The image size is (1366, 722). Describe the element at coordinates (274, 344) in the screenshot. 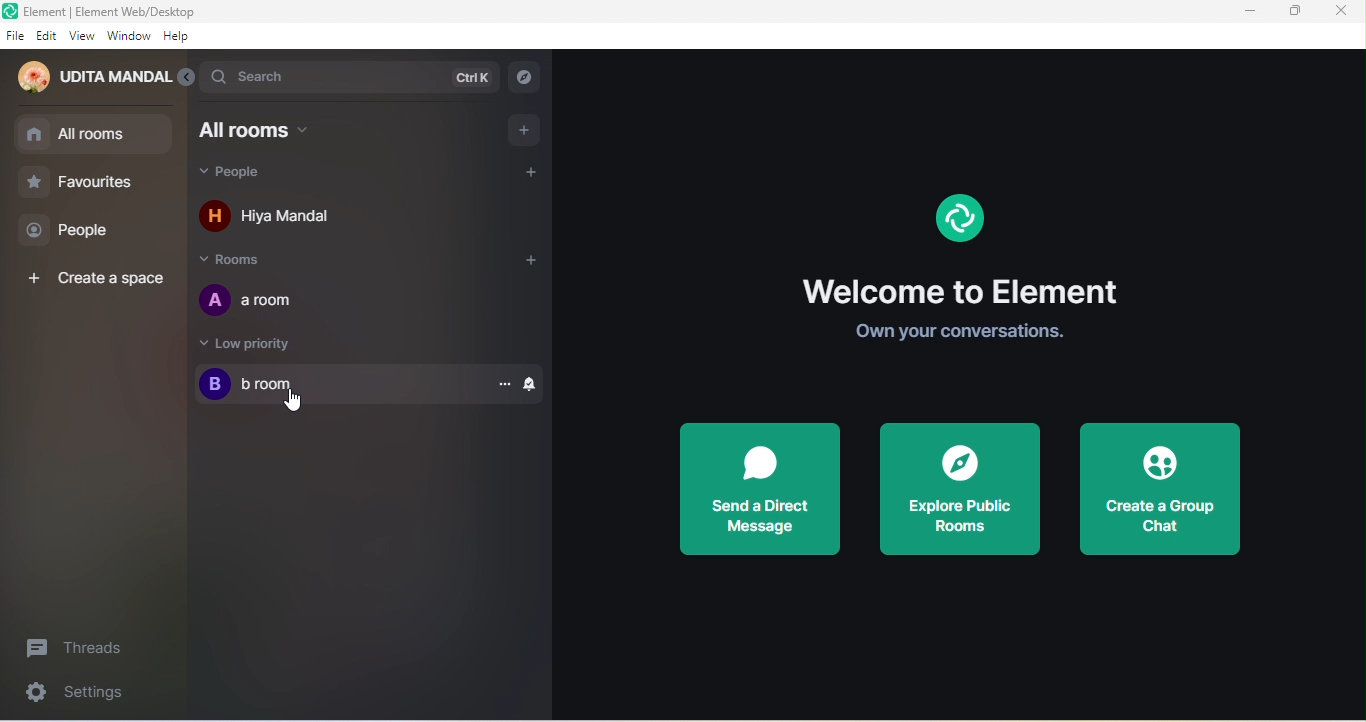

I see `low priority` at that location.